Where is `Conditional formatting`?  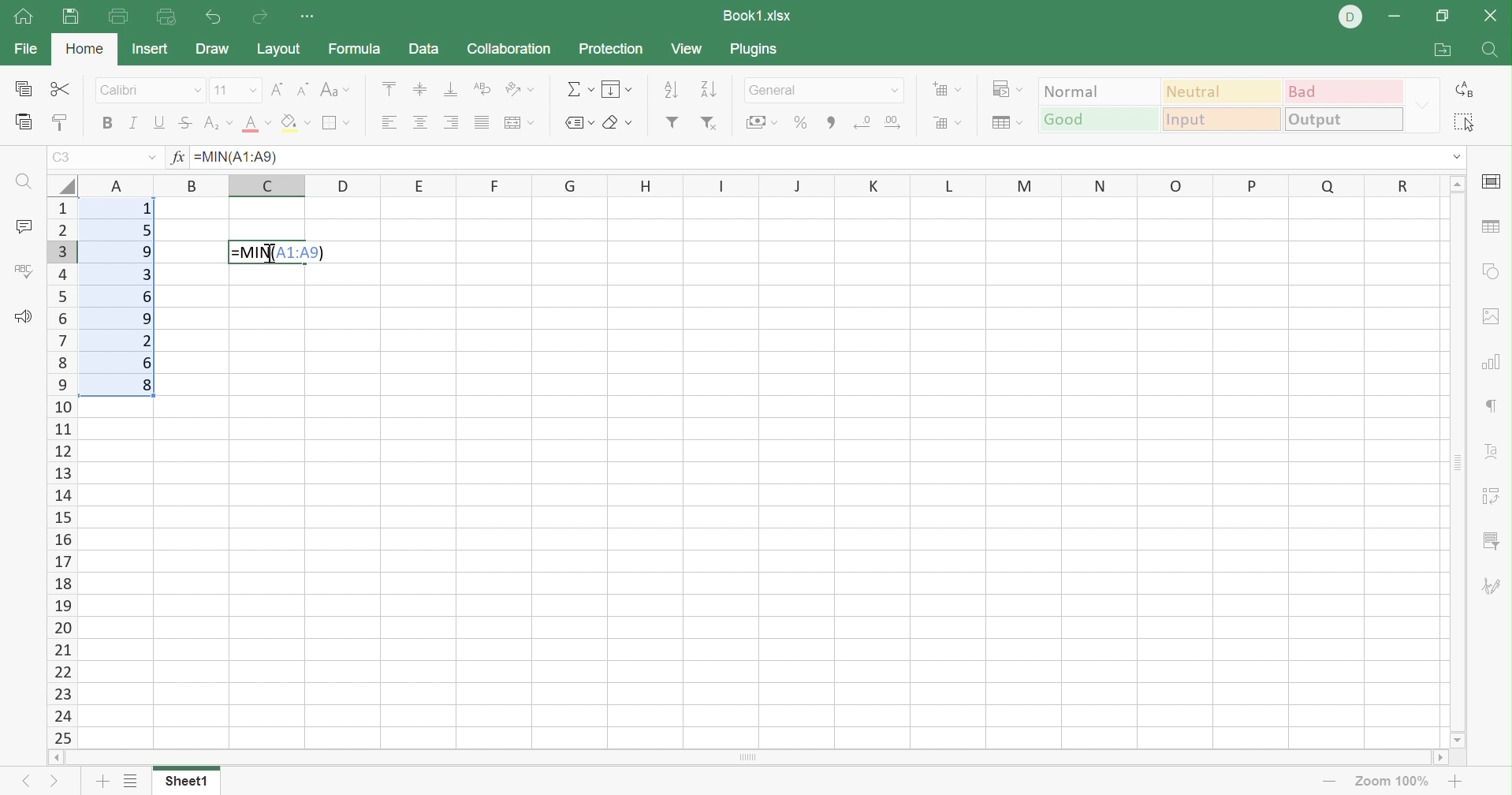 Conditional formatting is located at coordinates (1004, 89).